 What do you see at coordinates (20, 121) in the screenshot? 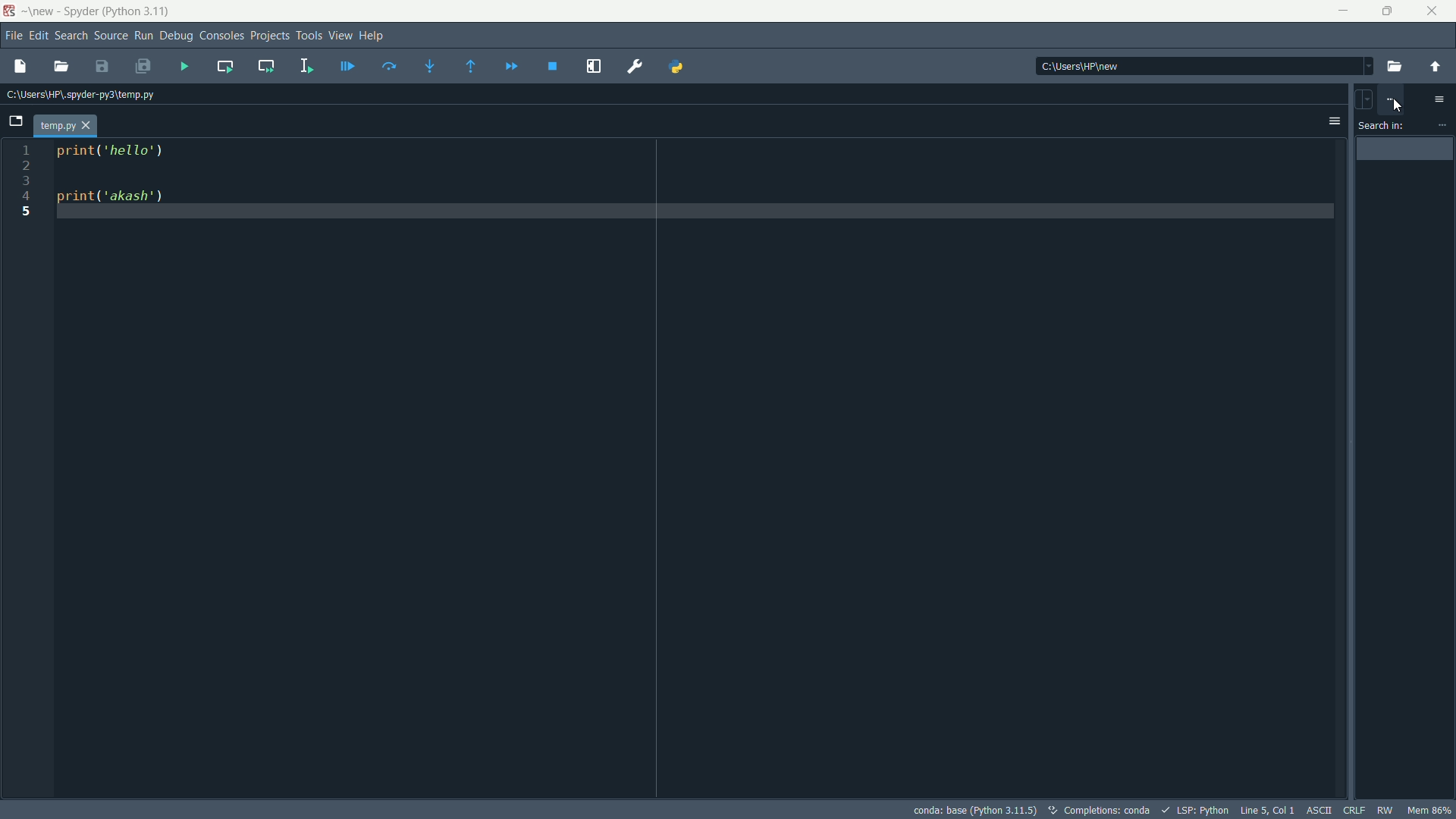
I see `Browse tab` at bounding box center [20, 121].